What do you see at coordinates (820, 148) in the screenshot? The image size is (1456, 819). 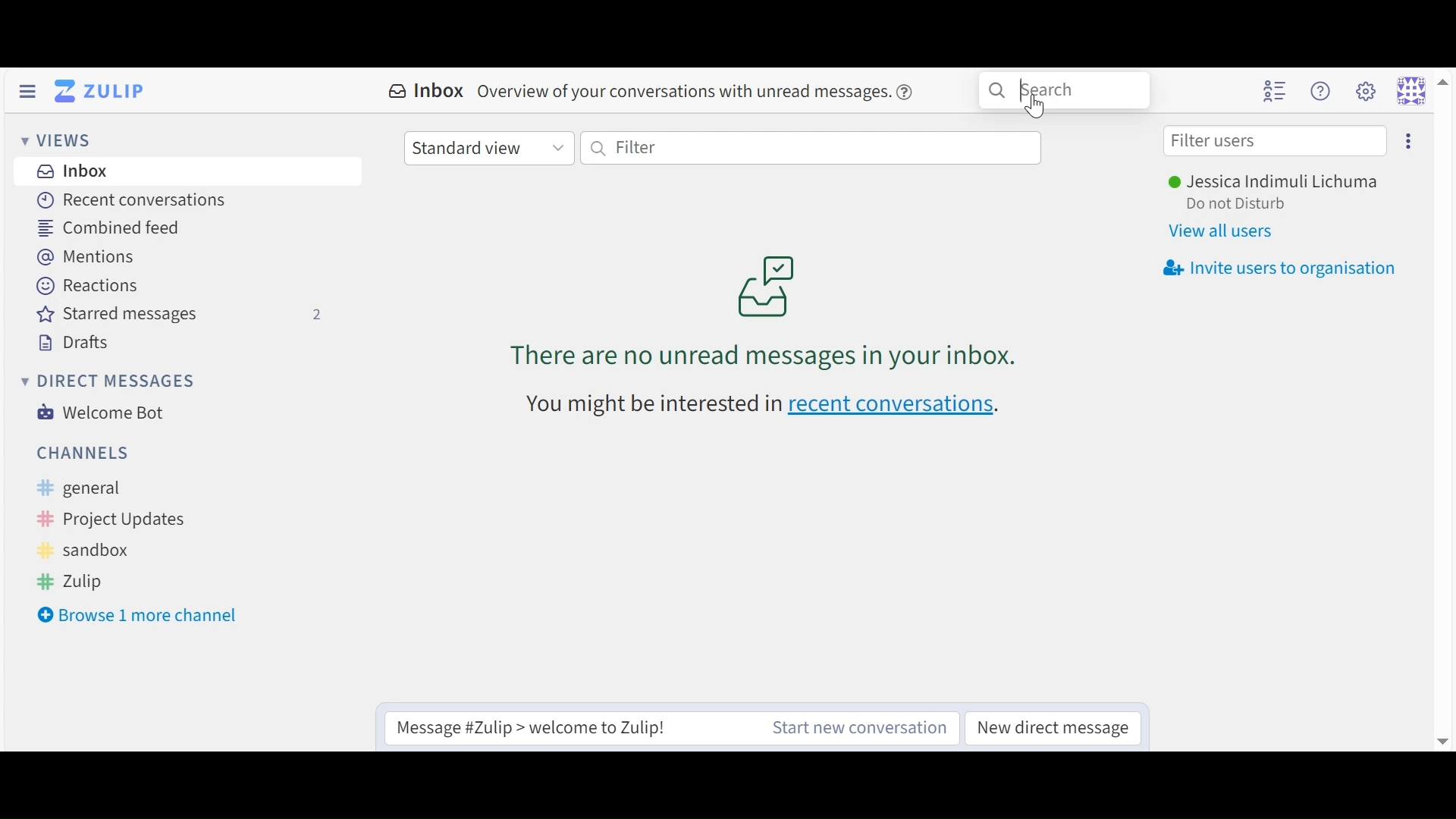 I see `Filter search by text` at bounding box center [820, 148].